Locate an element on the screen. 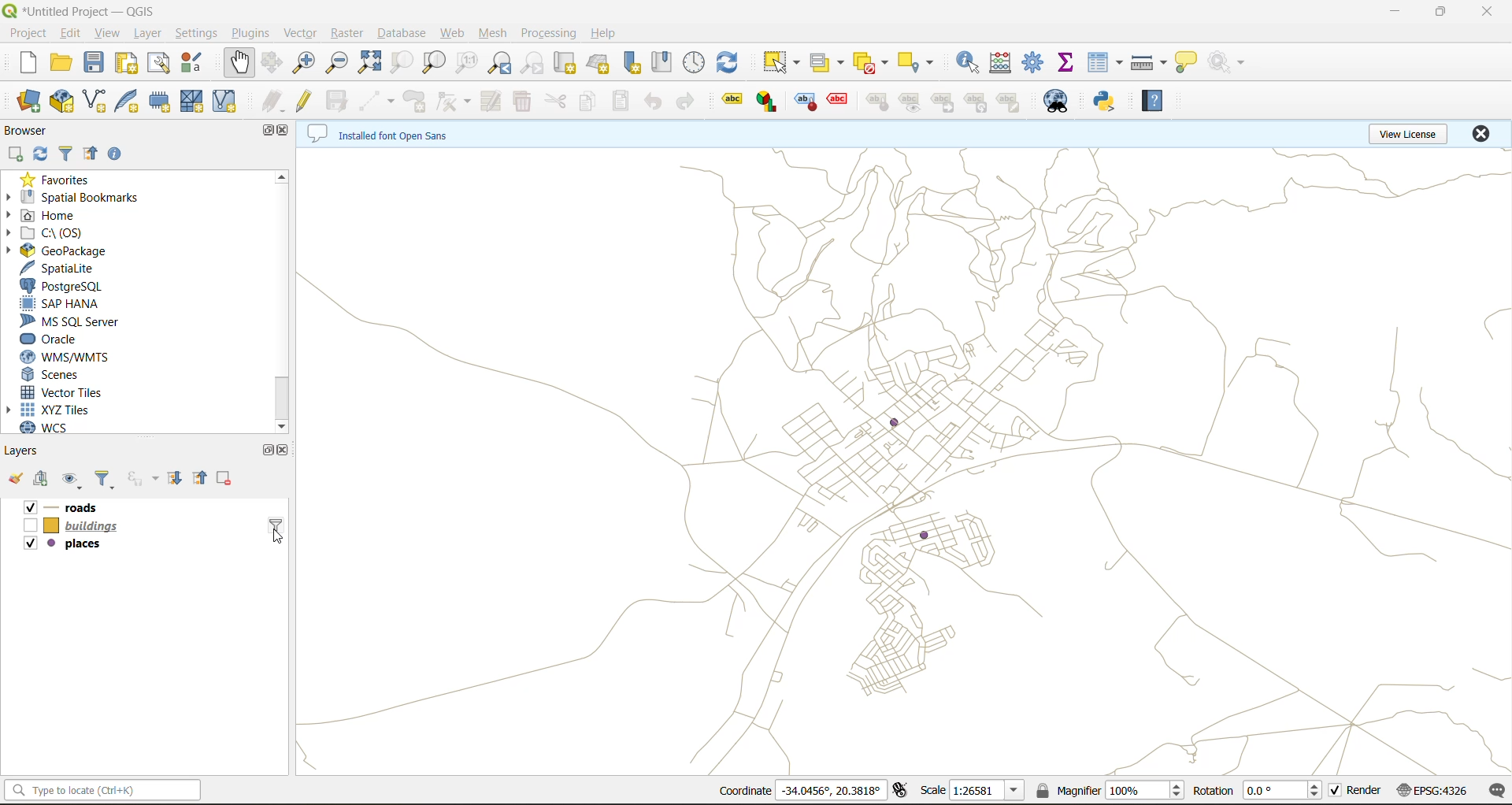 This screenshot has width=1512, height=805. show layout is located at coordinates (163, 66).